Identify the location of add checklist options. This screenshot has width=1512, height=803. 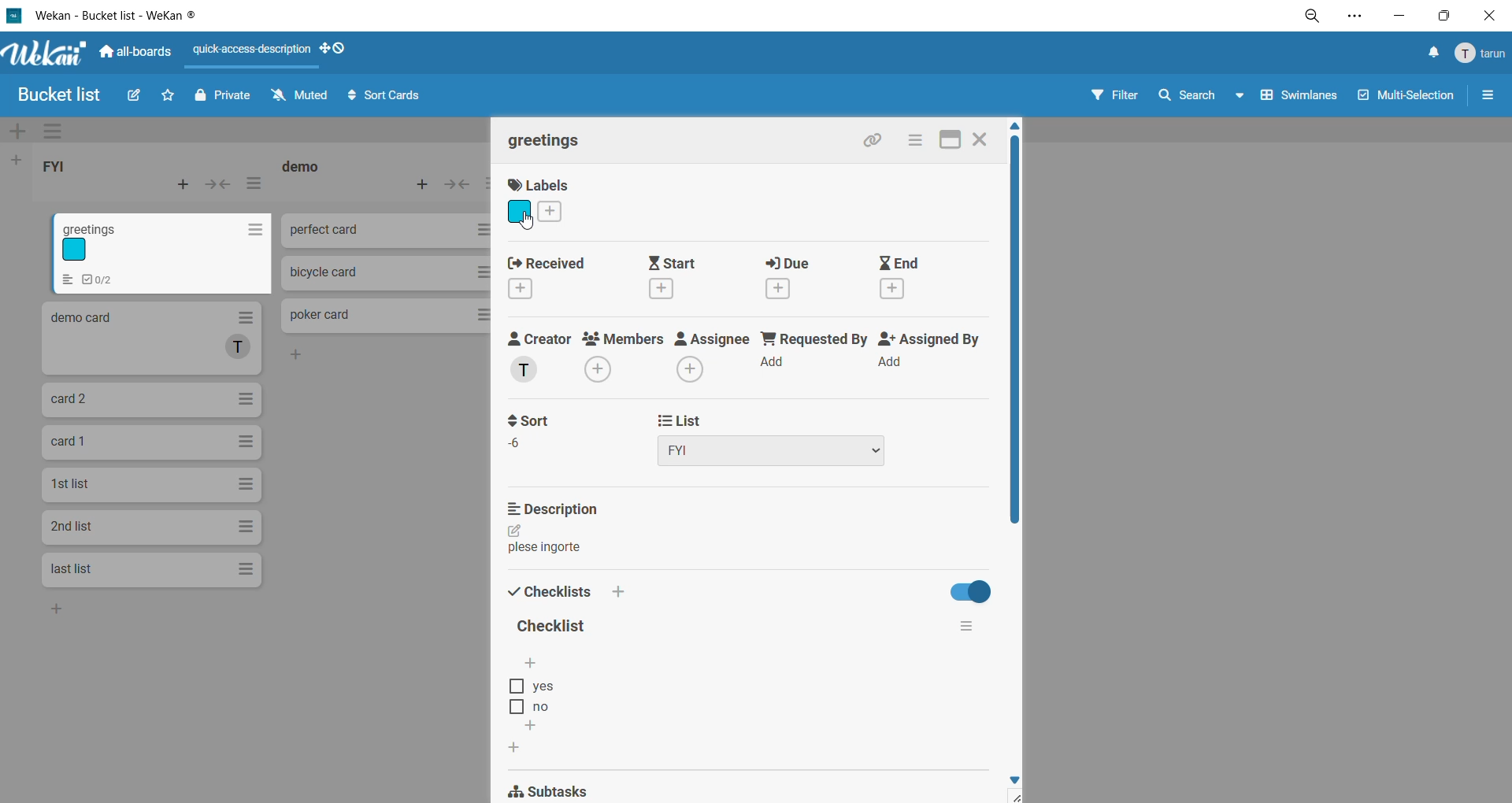
(530, 665).